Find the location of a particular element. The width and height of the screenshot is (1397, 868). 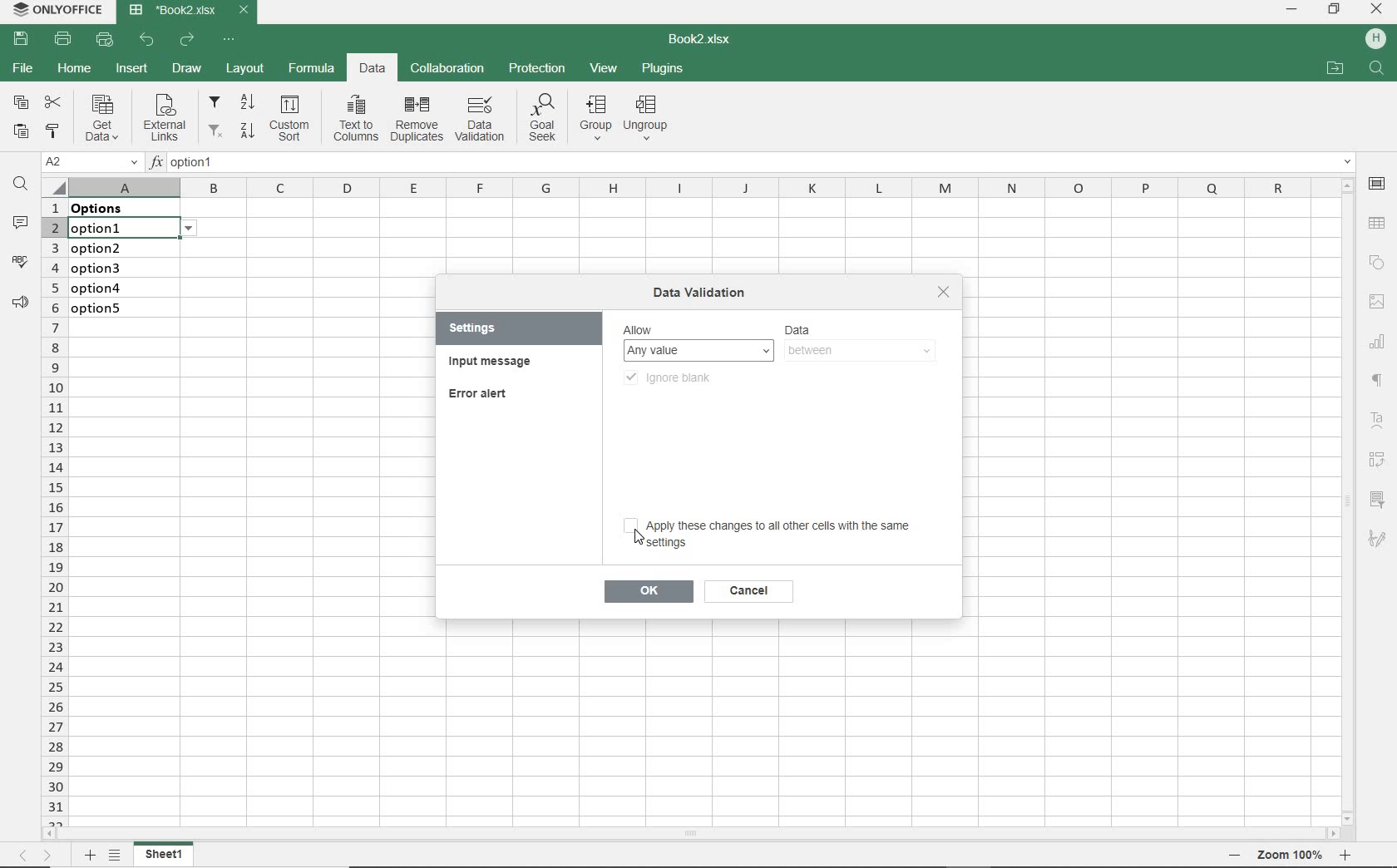

DATA VALIDATION is located at coordinates (705, 291).